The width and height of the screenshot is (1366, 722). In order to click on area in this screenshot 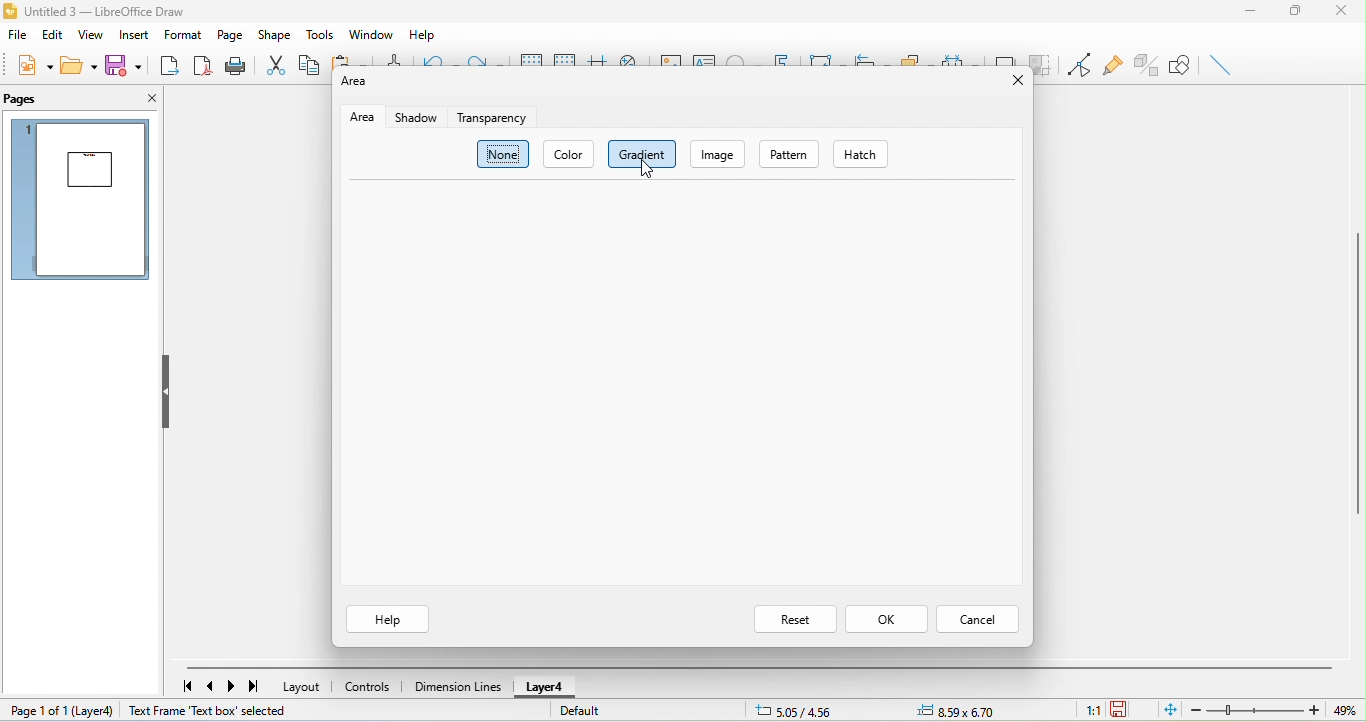, I will do `click(362, 116)`.